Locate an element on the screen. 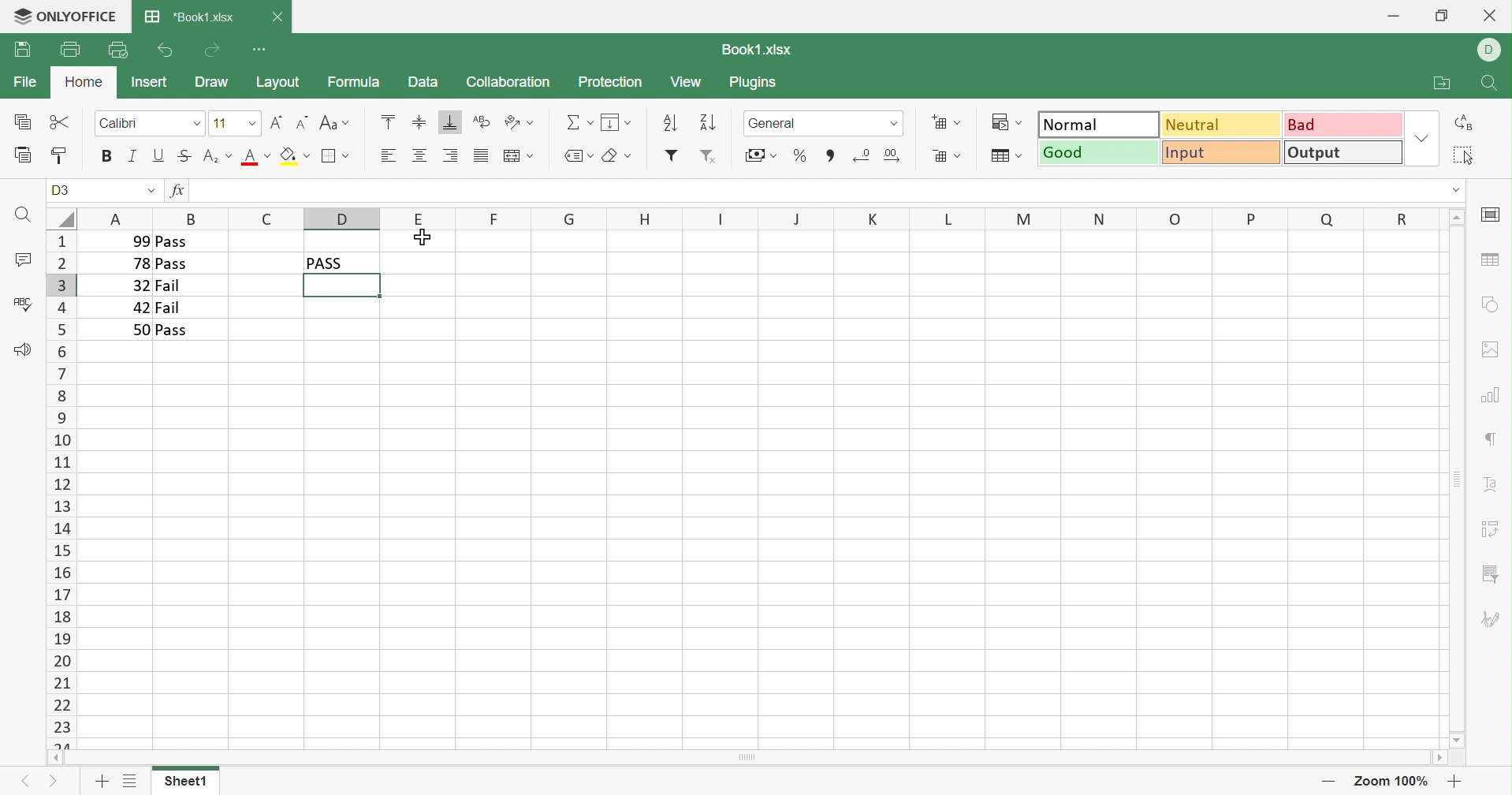  Pivot table settings is located at coordinates (1492, 529).